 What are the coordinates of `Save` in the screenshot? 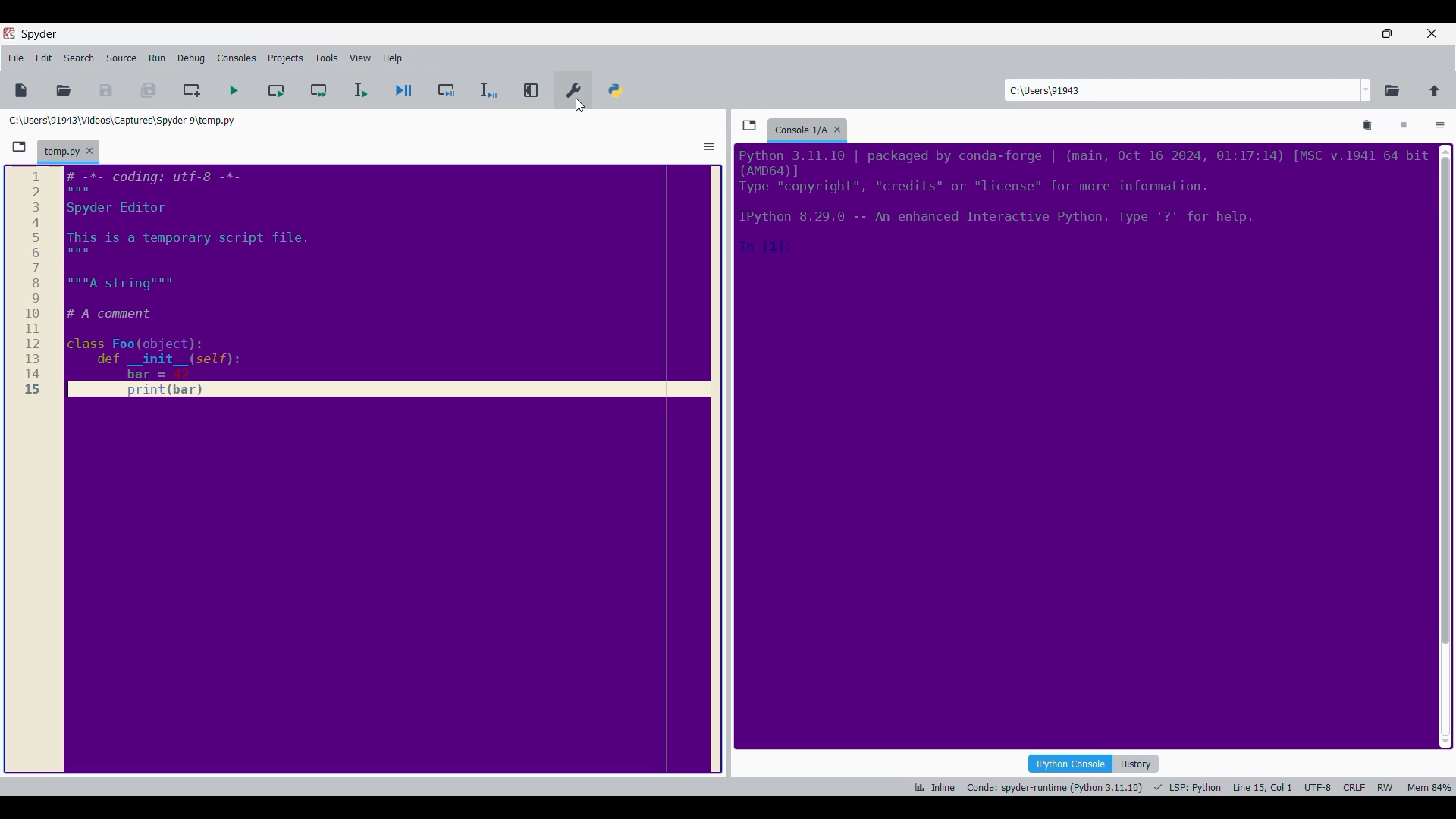 It's located at (106, 90).